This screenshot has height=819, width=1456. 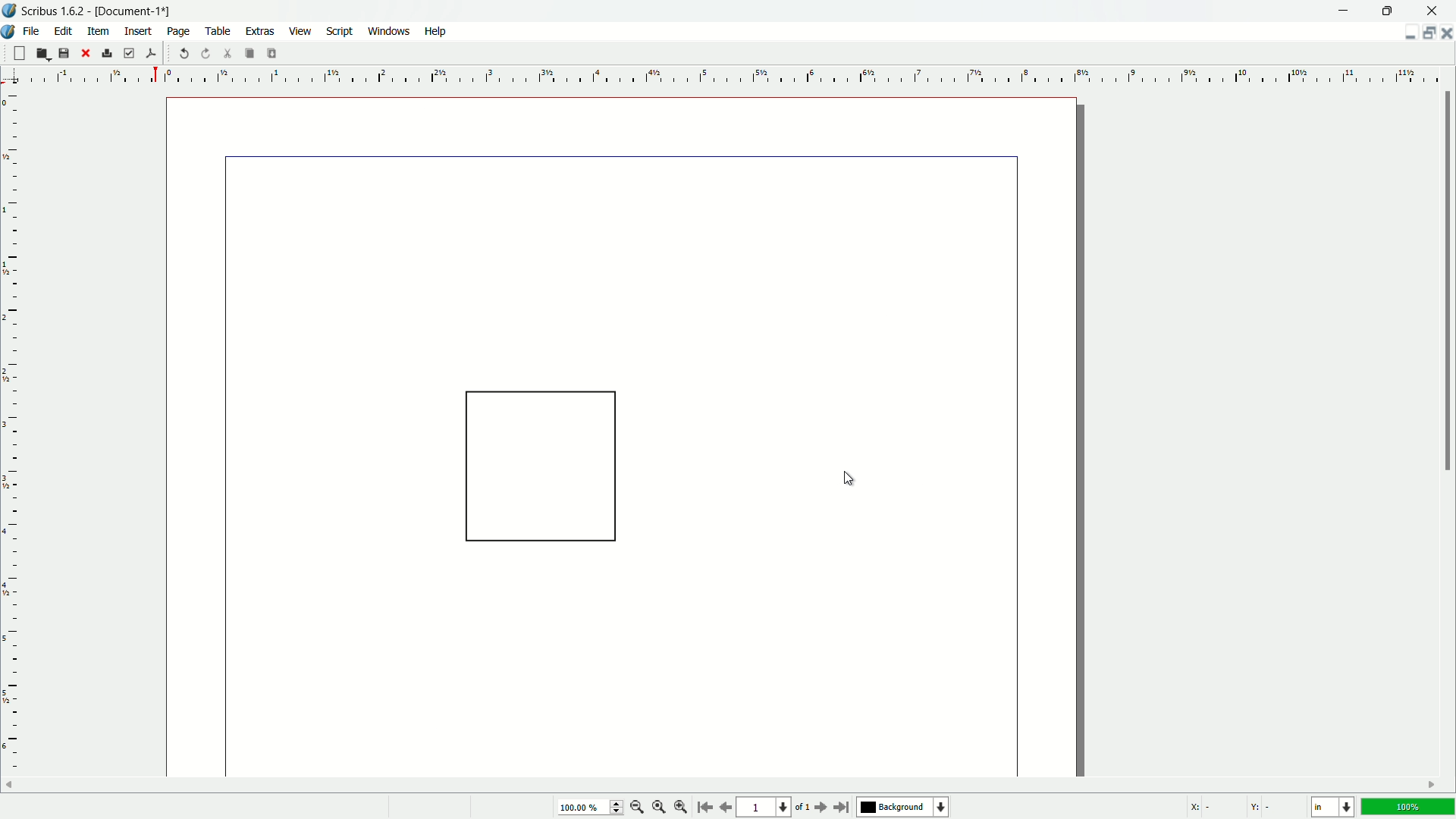 I want to click on new file, so click(x=18, y=53).